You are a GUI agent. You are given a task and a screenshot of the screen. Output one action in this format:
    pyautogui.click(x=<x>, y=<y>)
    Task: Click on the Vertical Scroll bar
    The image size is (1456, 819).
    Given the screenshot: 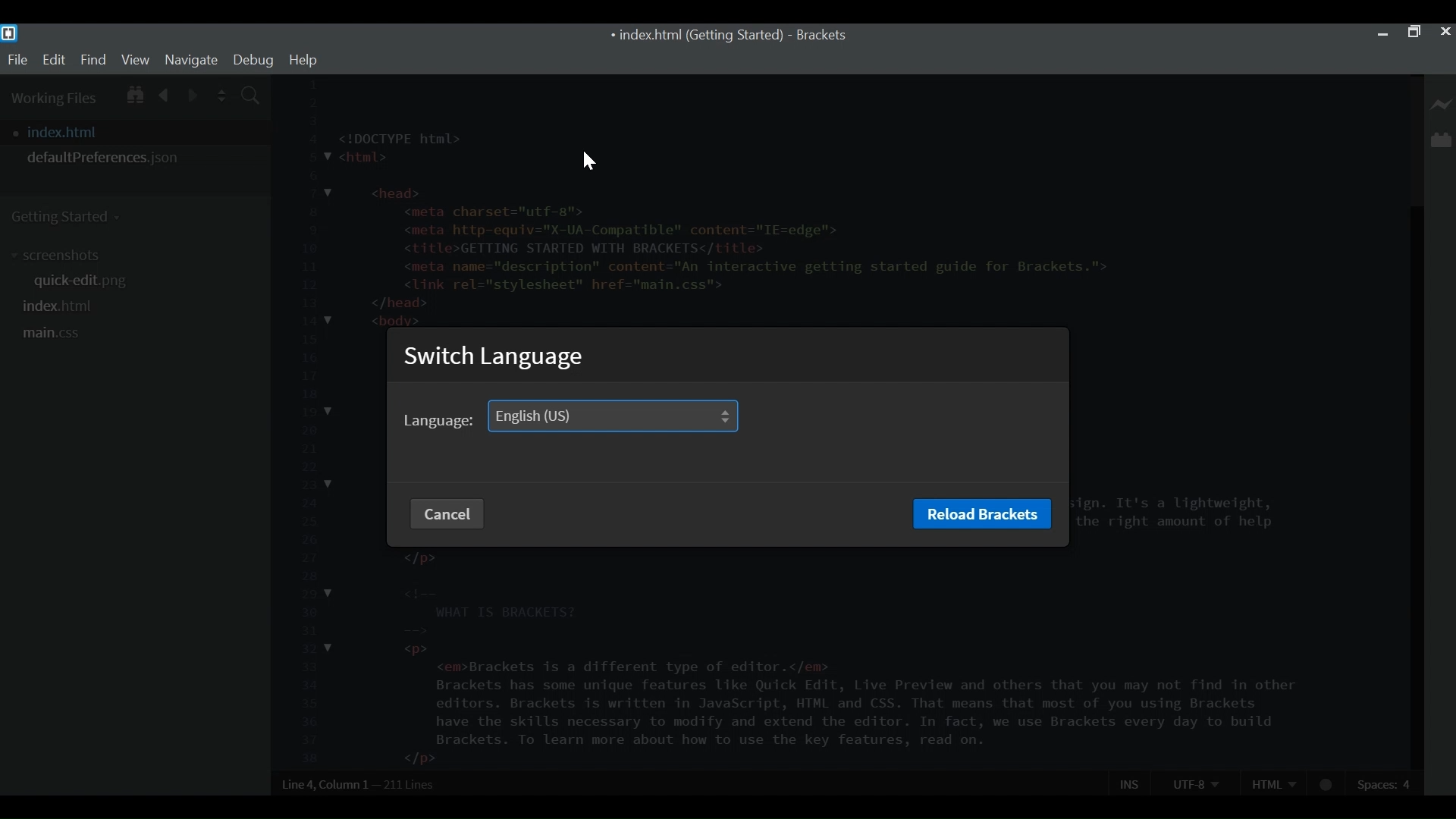 What is the action you would take?
    pyautogui.click(x=1414, y=488)
    